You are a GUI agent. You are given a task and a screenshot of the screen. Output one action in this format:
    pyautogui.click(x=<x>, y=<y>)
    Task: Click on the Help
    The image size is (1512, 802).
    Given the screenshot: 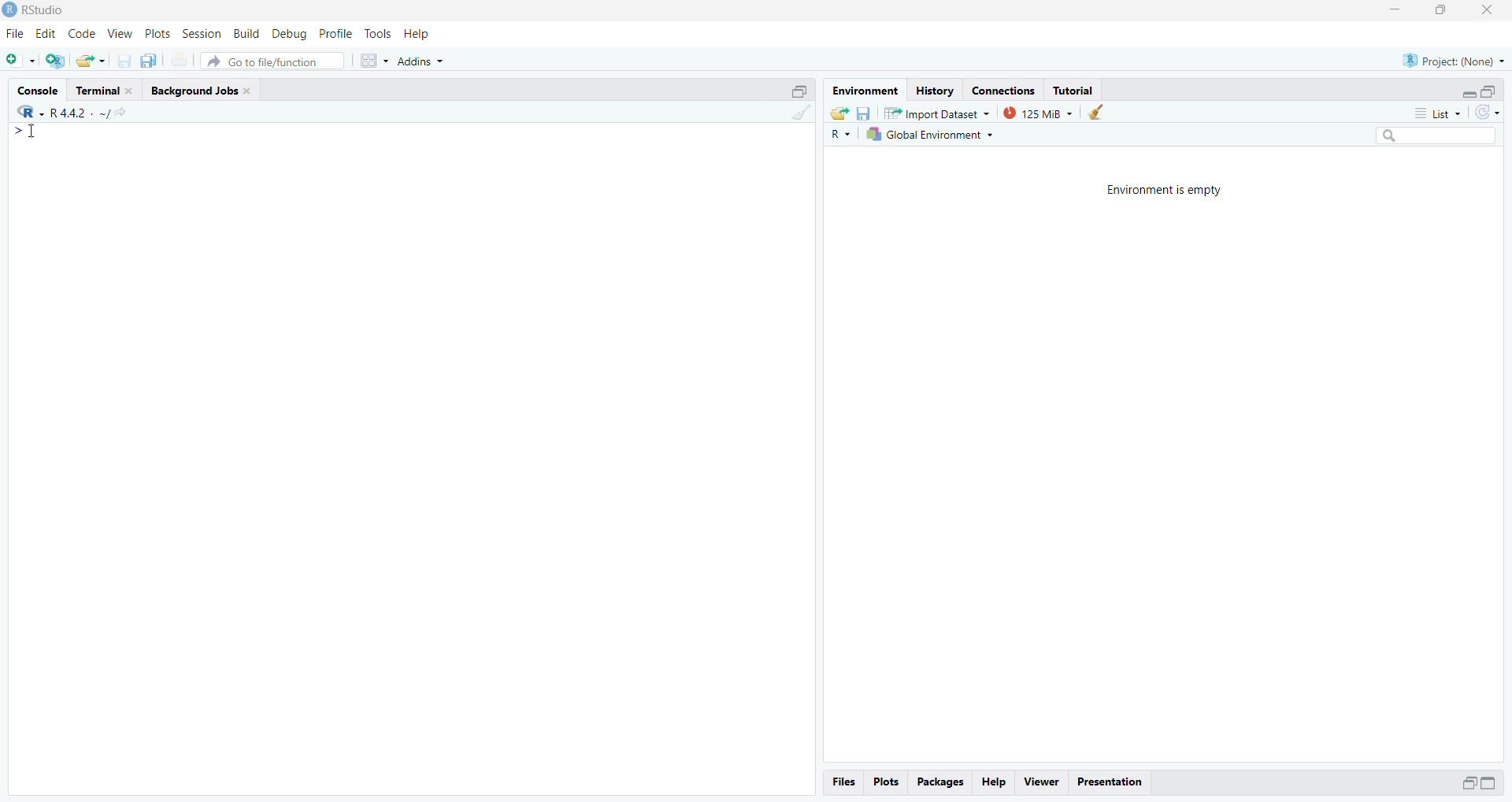 What is the action you would take?
    pyautogui.click(x=416, y=33)
    